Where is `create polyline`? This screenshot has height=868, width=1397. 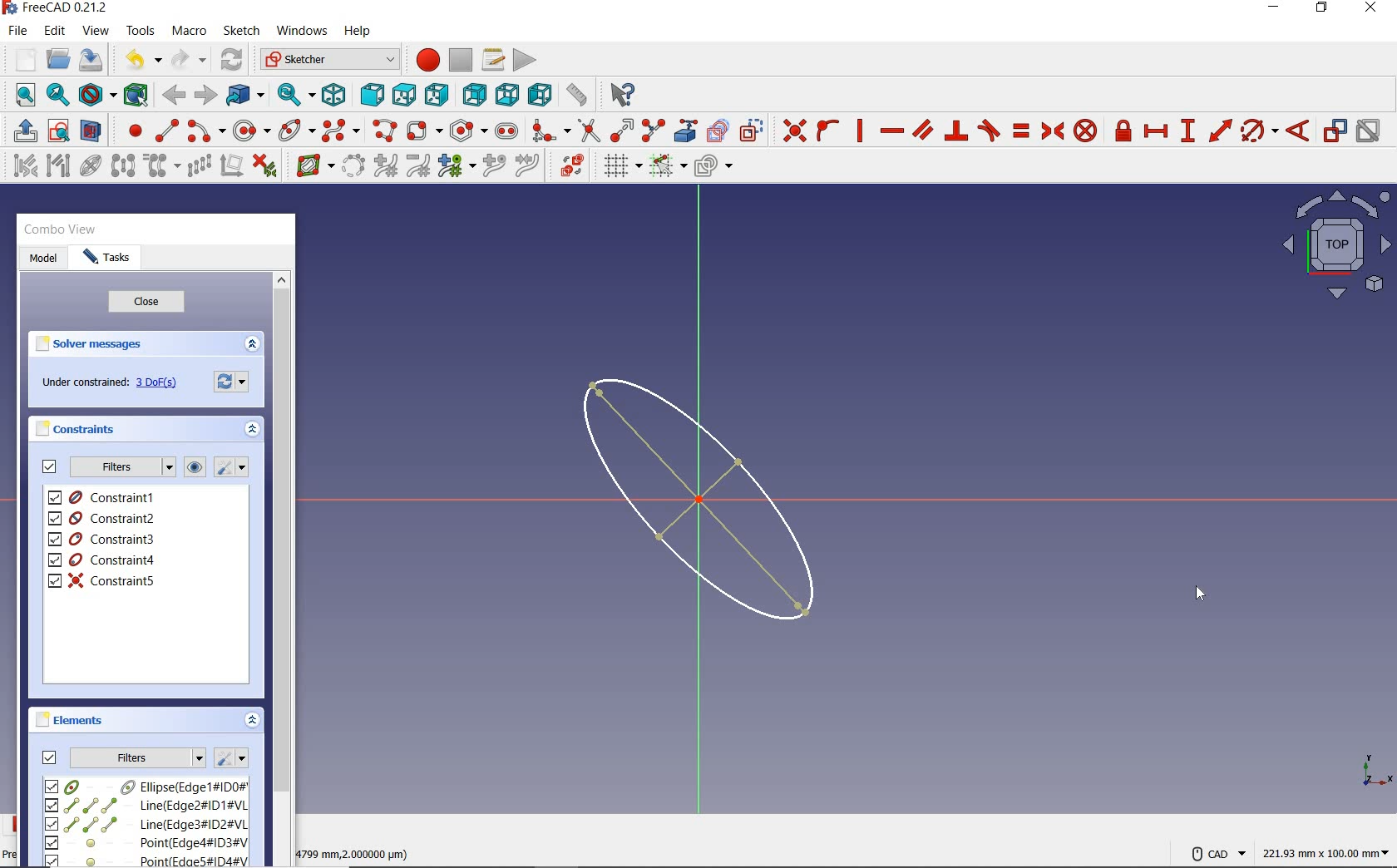
create polyline is located at coordinates (383, 131).